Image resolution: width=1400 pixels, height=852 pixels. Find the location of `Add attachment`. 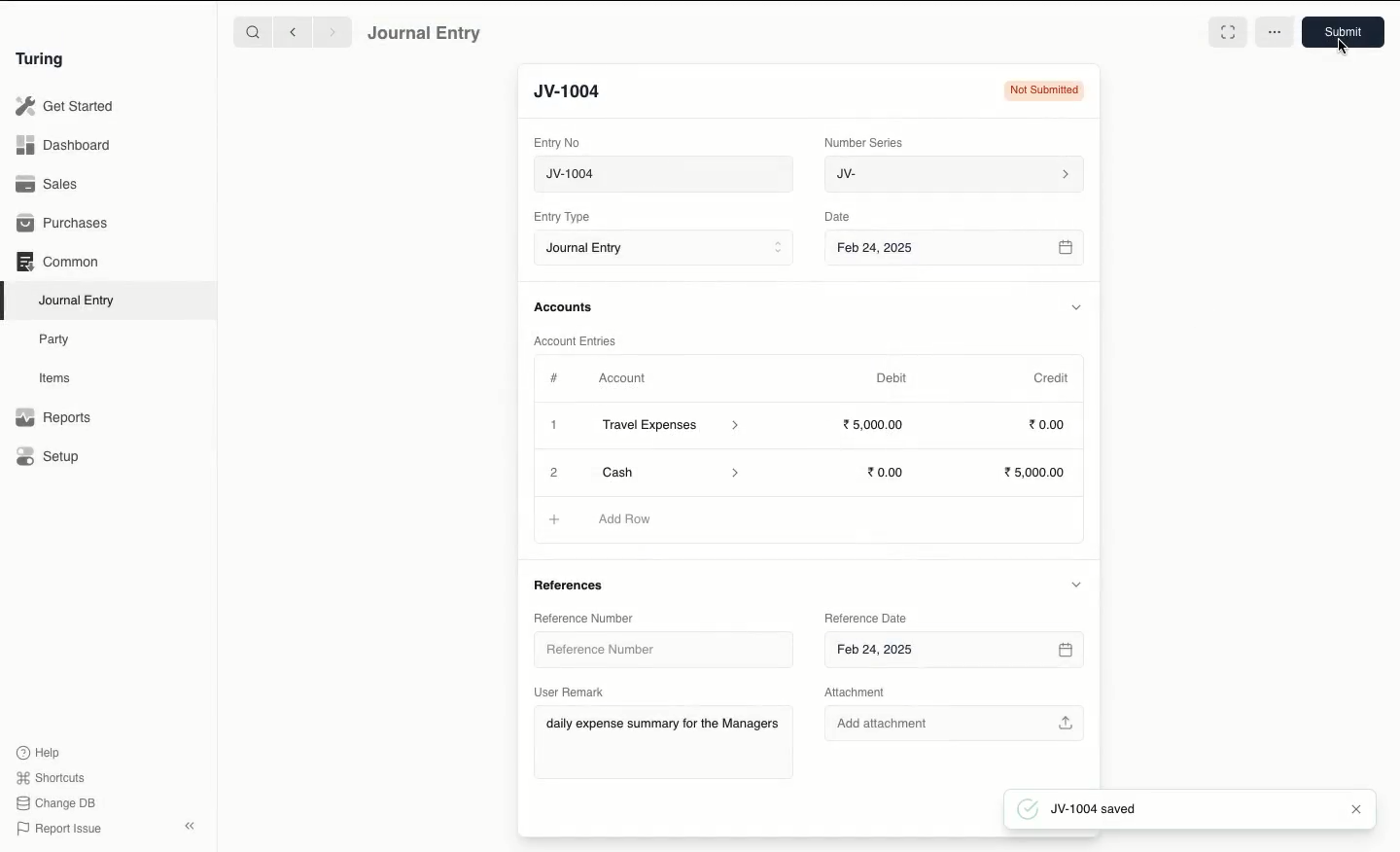

Add attachment is located at coordinates (956, 720).